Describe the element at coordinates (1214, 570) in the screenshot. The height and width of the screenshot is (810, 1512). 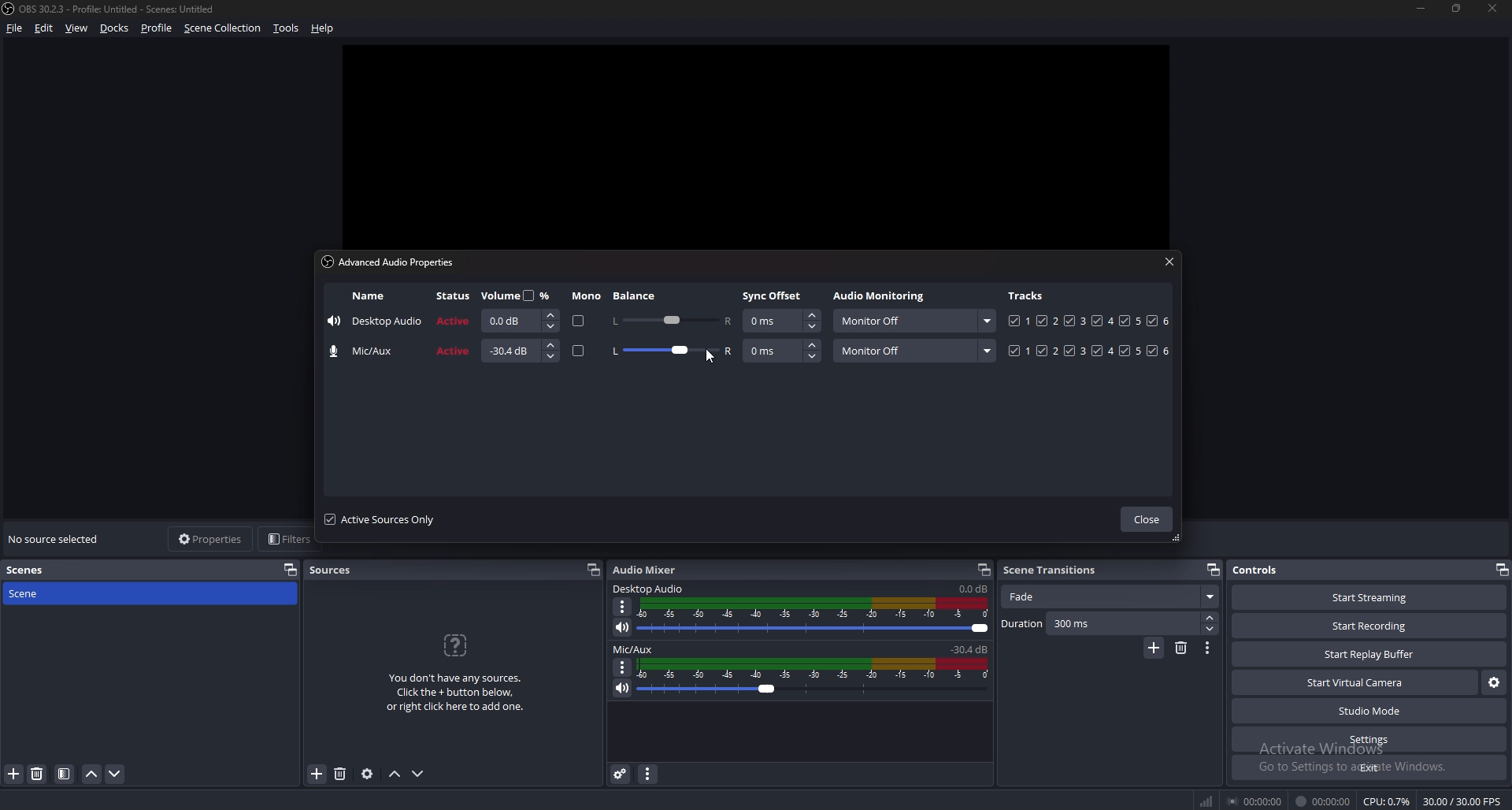
I see `pop out` at that location.